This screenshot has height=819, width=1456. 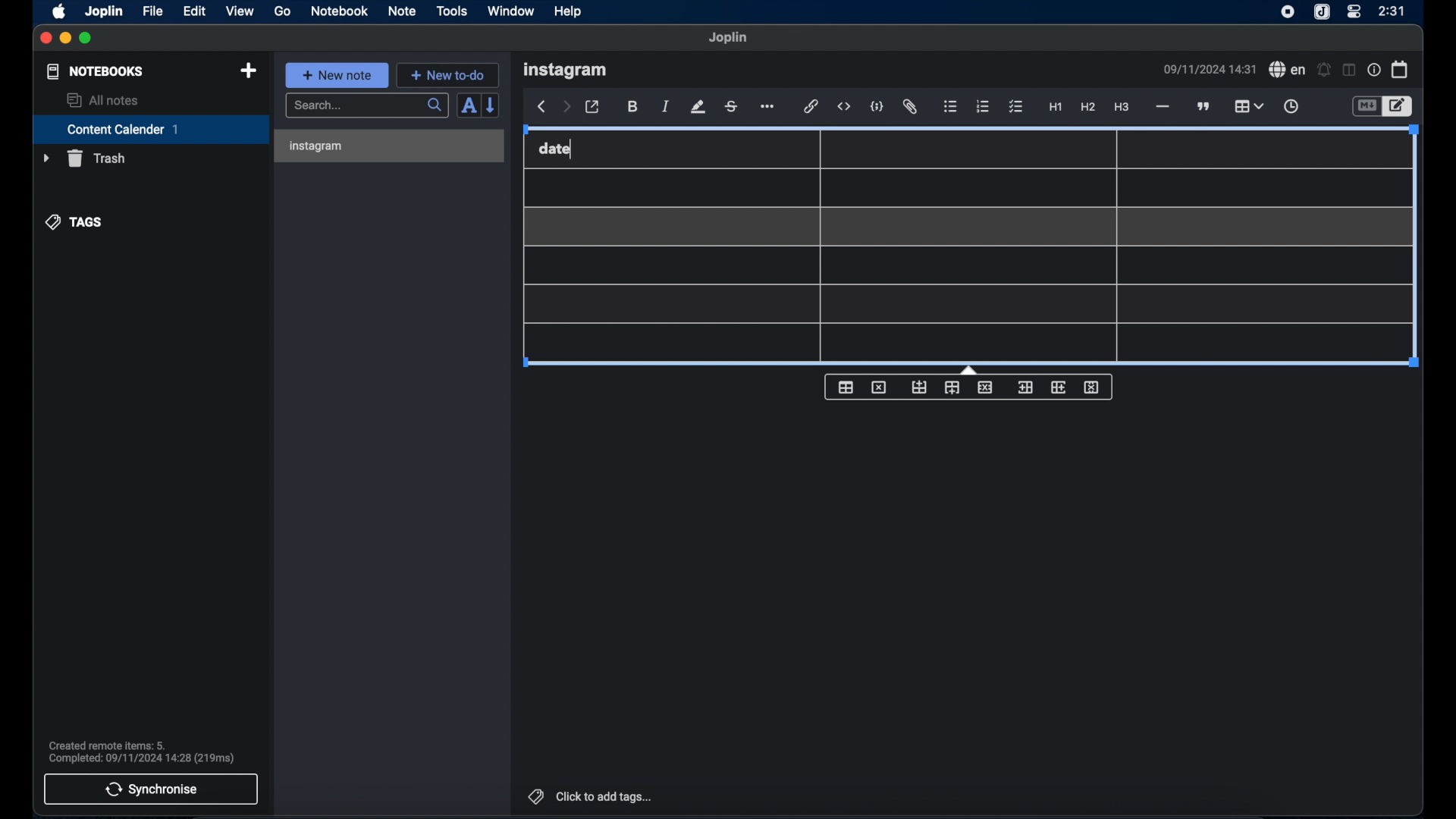 I want to click on delete table, so click(x=879, y=387).